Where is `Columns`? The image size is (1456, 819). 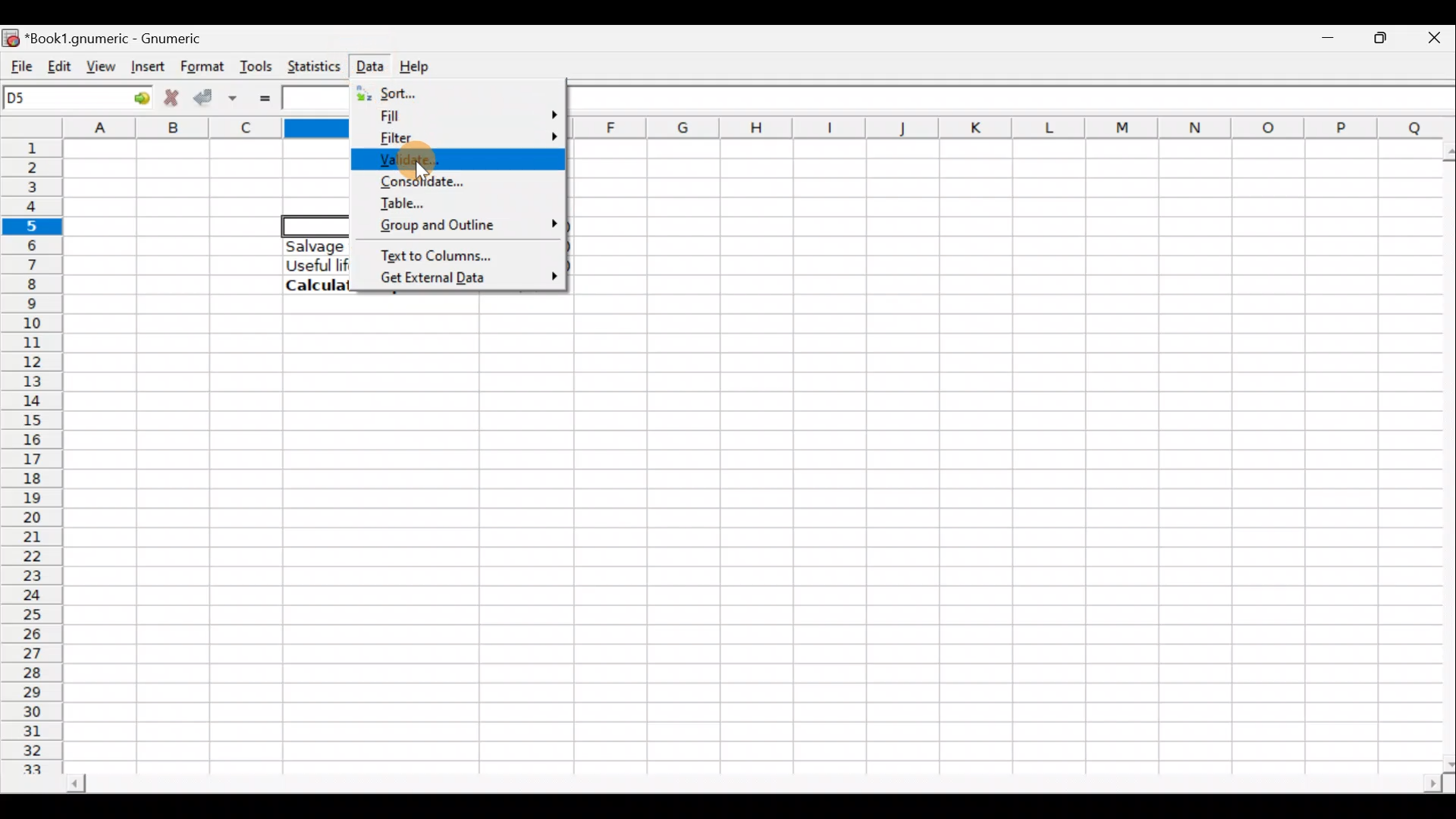 Columns is located at coordinates (1012, 128).